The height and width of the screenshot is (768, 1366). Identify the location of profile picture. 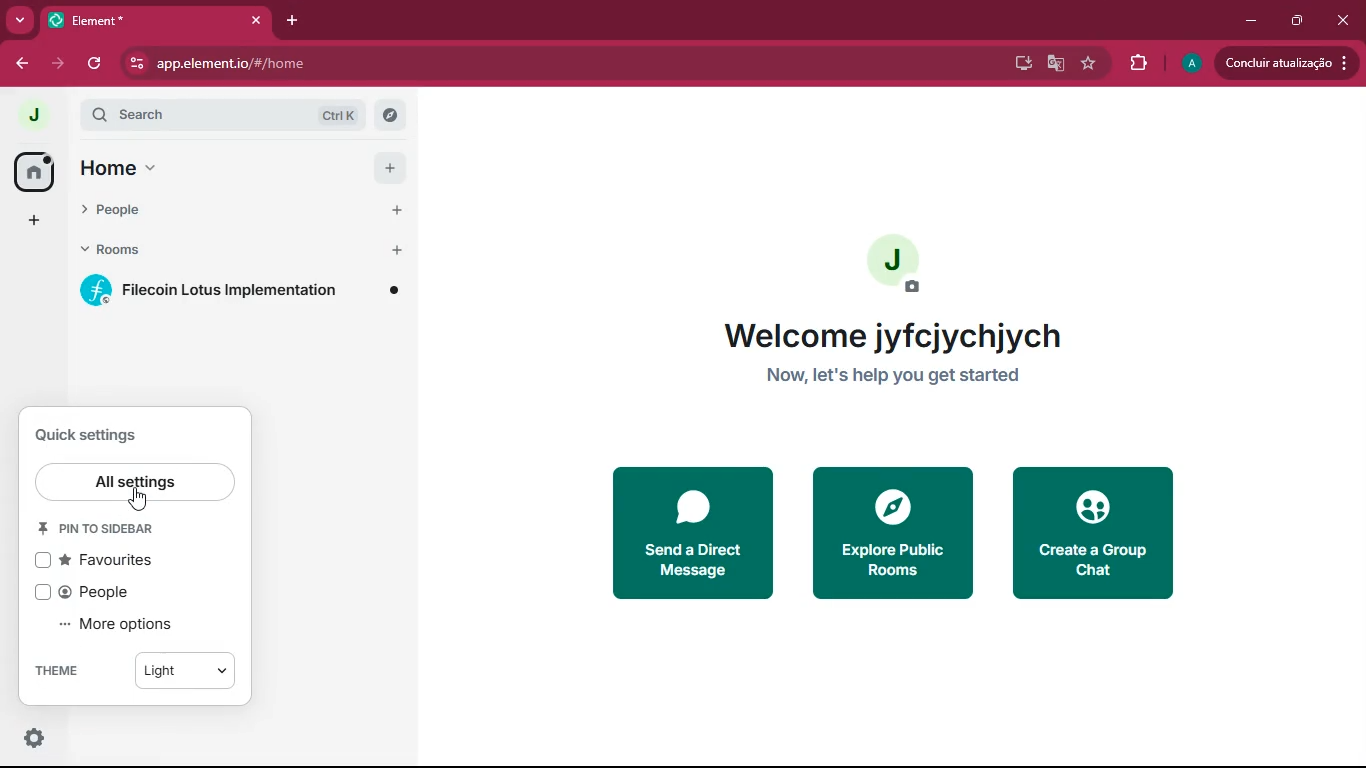
(32, 115).